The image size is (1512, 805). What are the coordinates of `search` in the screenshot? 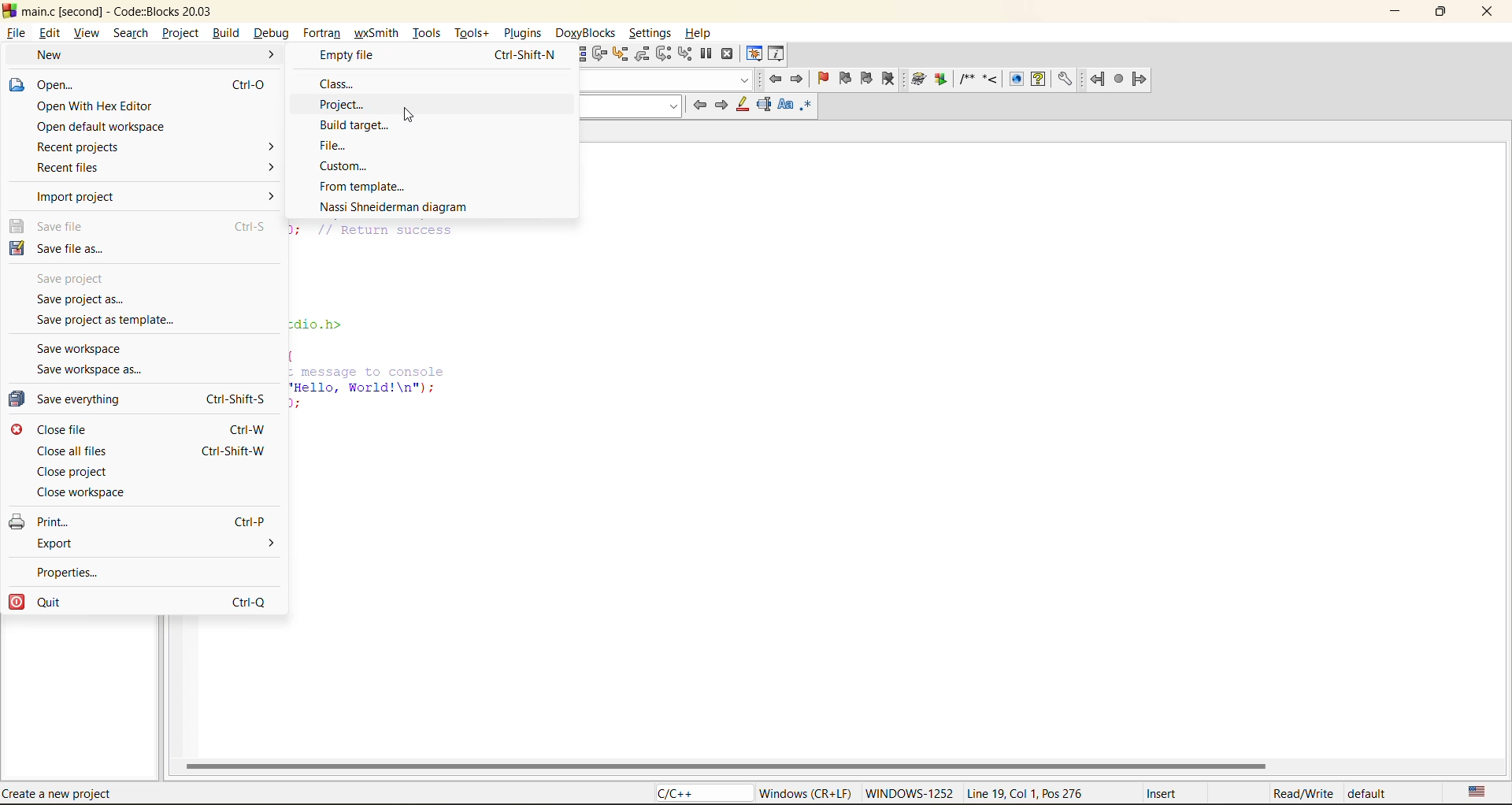 It's located at (128, 32).